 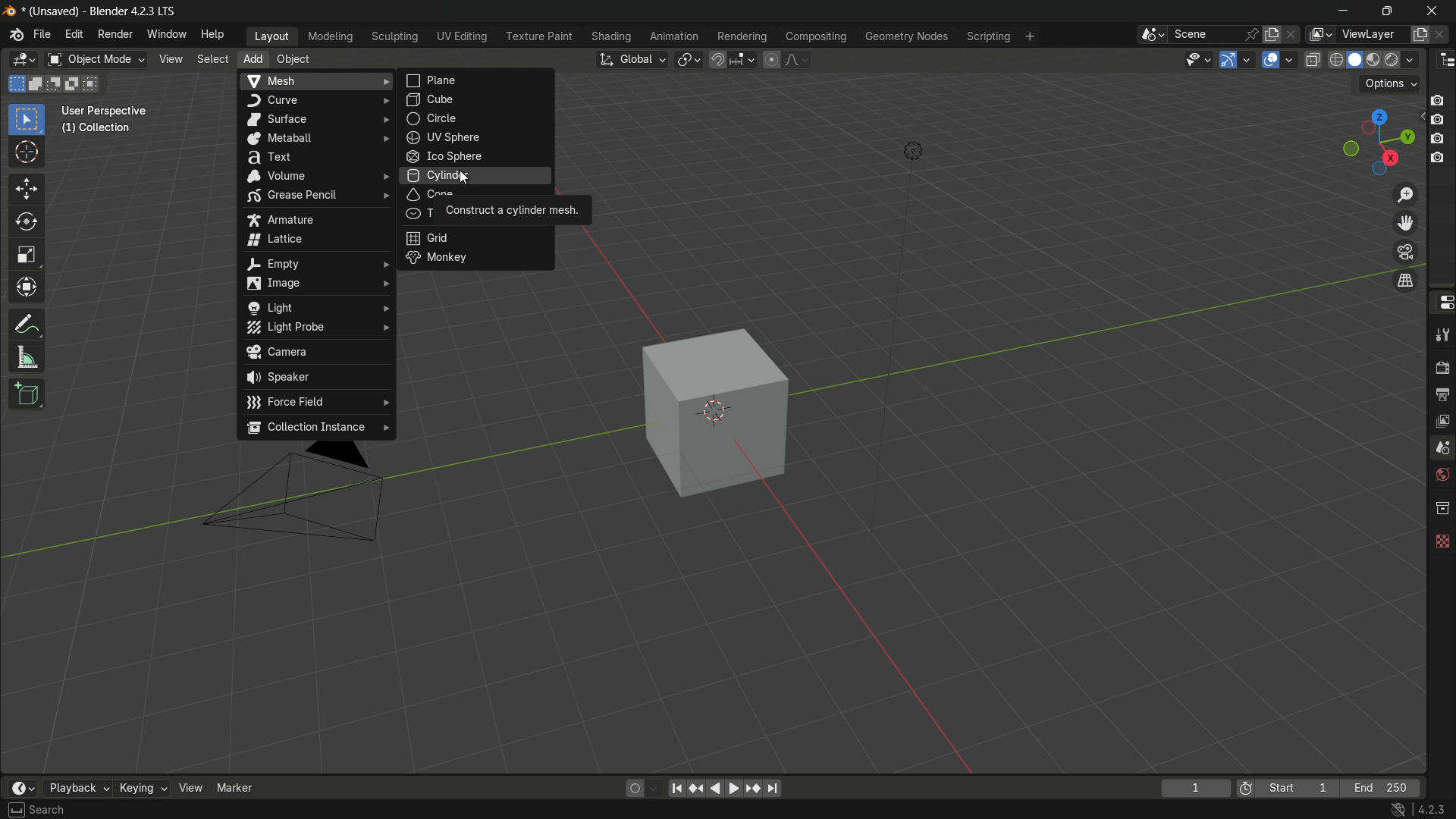 What do you see at coordinates (771, 60) in the screenshot?
I see `proportional editing object` at bounding box center [771, 60].